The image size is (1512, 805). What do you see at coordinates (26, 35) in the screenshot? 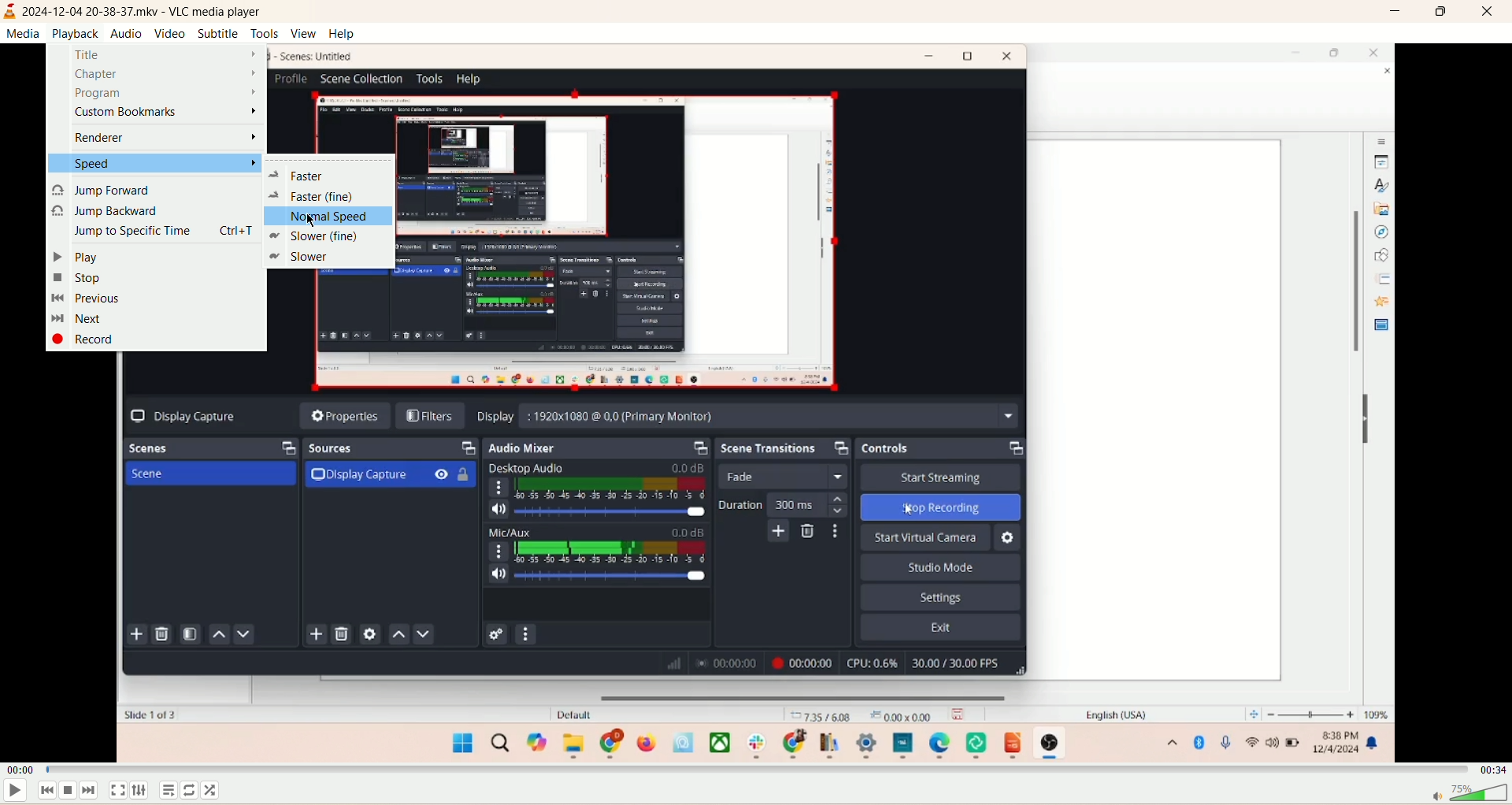
I see `media` at bounding box center [26, 35].